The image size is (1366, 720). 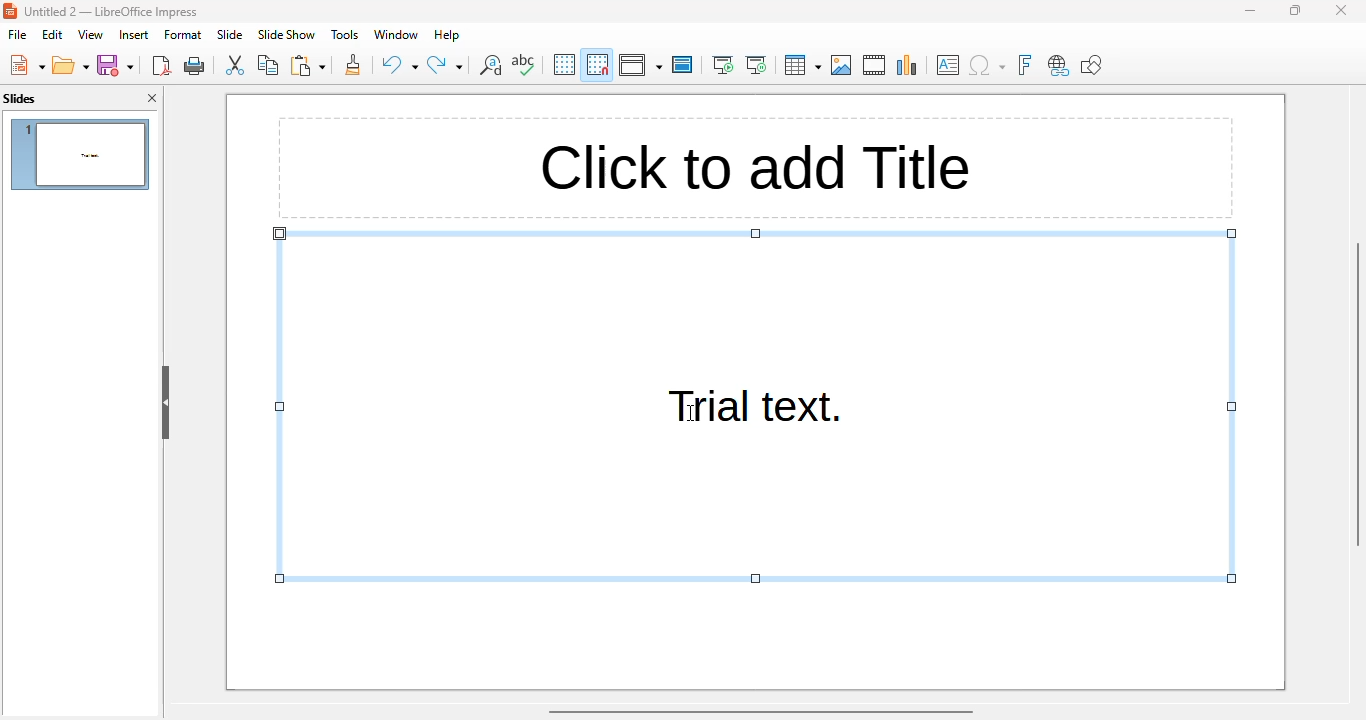 I want to click on logo, so click(x=9, y=11).